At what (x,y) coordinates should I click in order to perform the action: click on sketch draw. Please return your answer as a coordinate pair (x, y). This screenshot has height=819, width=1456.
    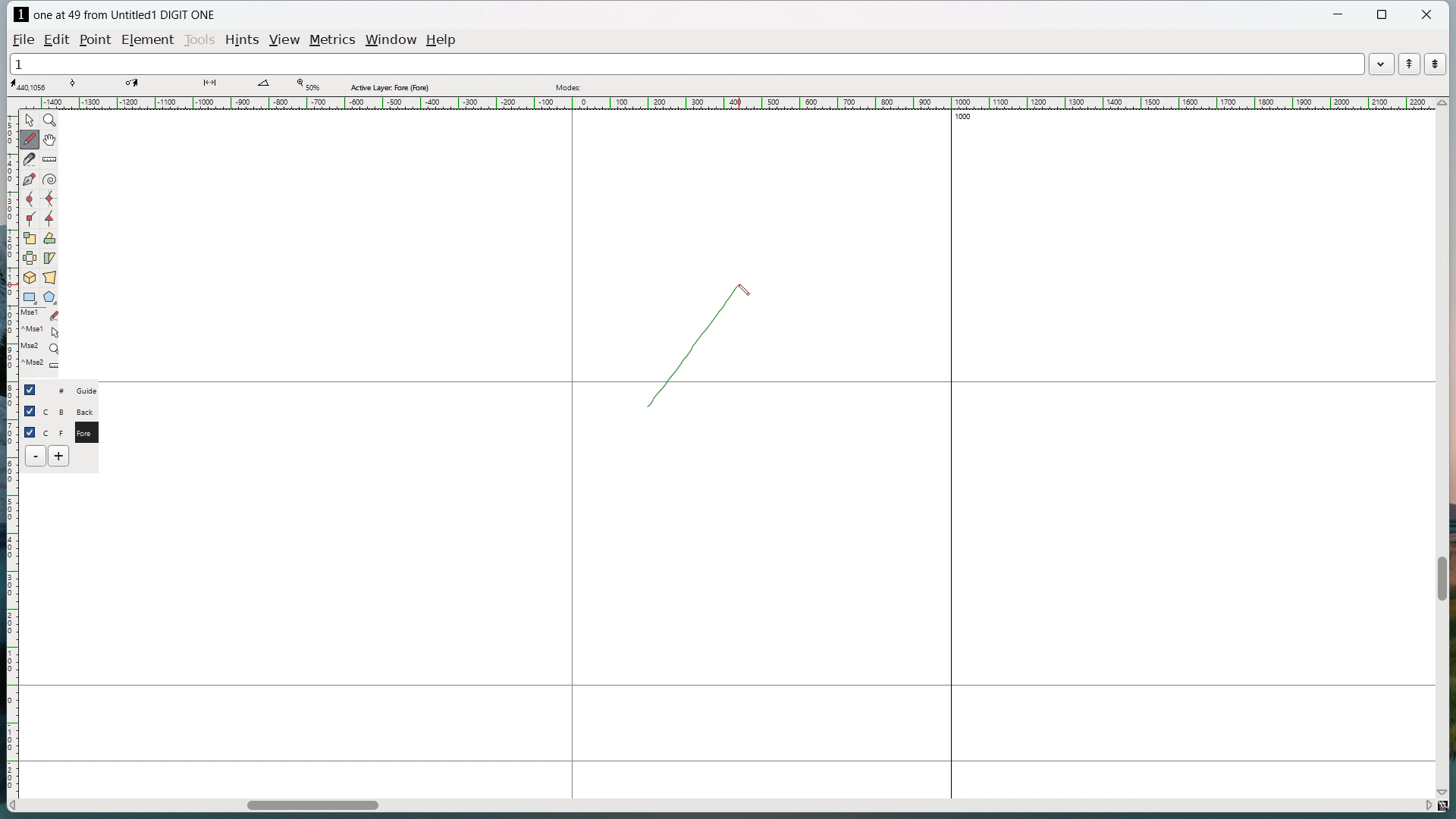
    Looking at the image, I should click on (682, 351).